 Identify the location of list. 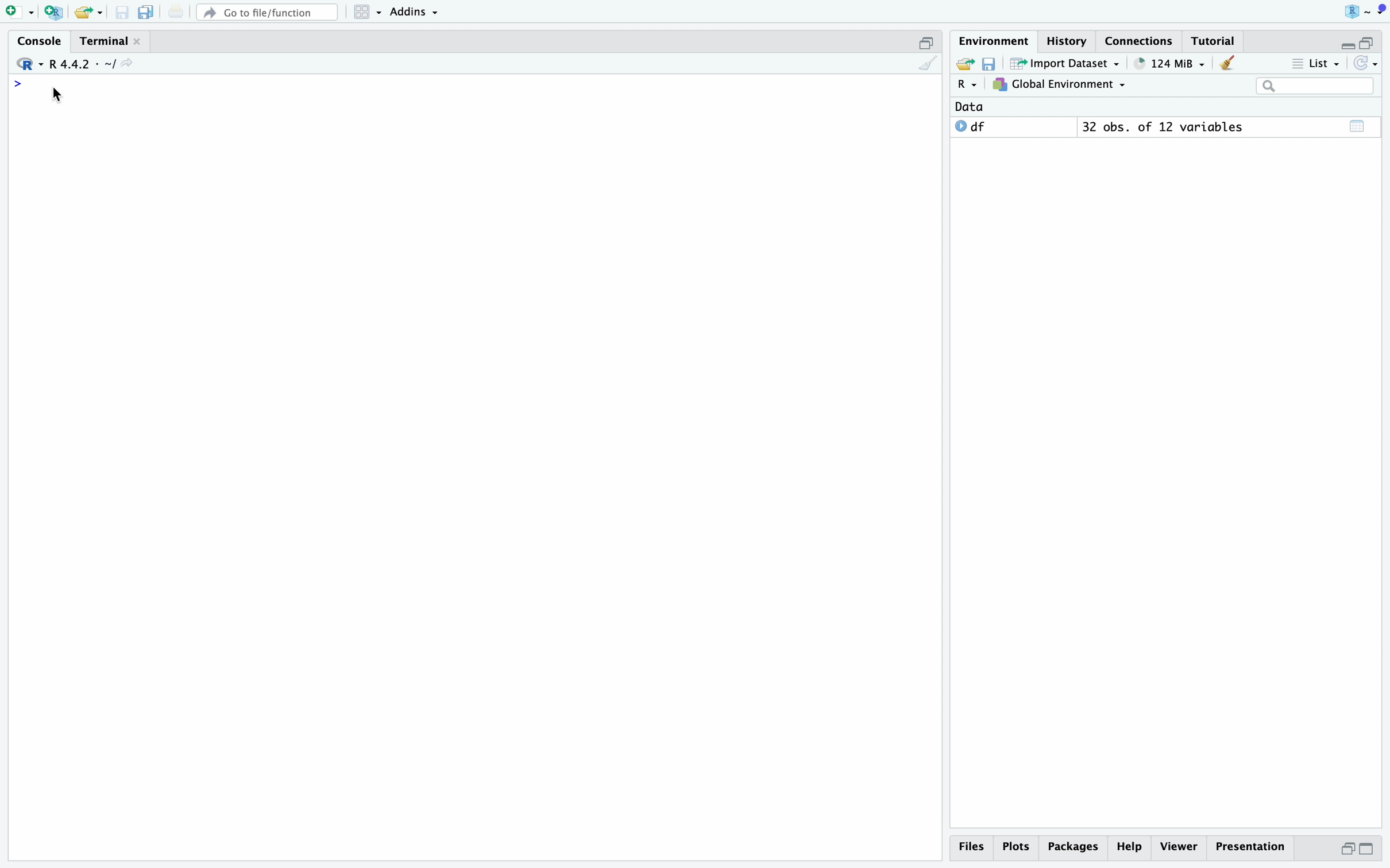
(1316, 64).